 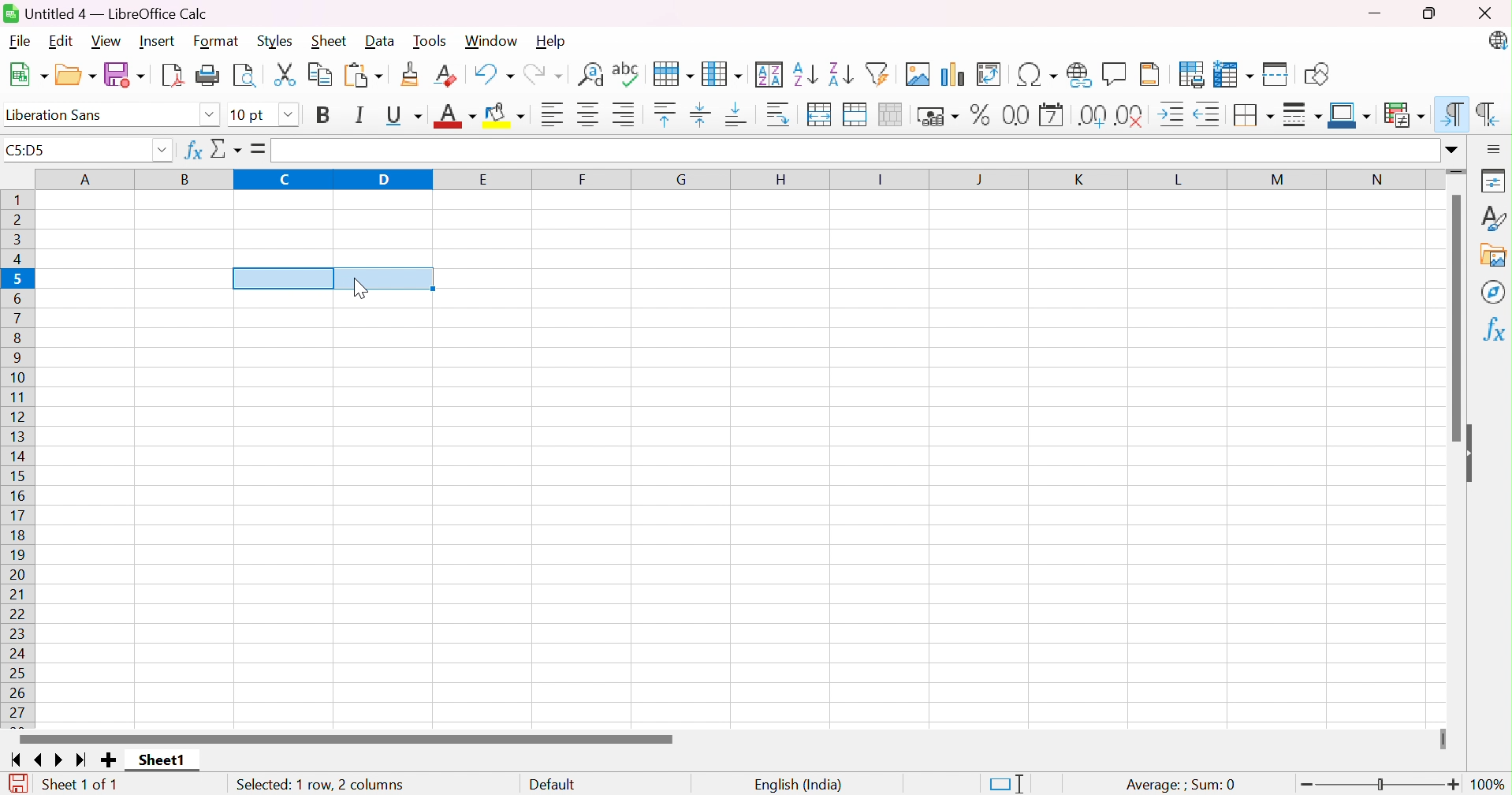 I want to click on English (India), so click(x=799, y=782).